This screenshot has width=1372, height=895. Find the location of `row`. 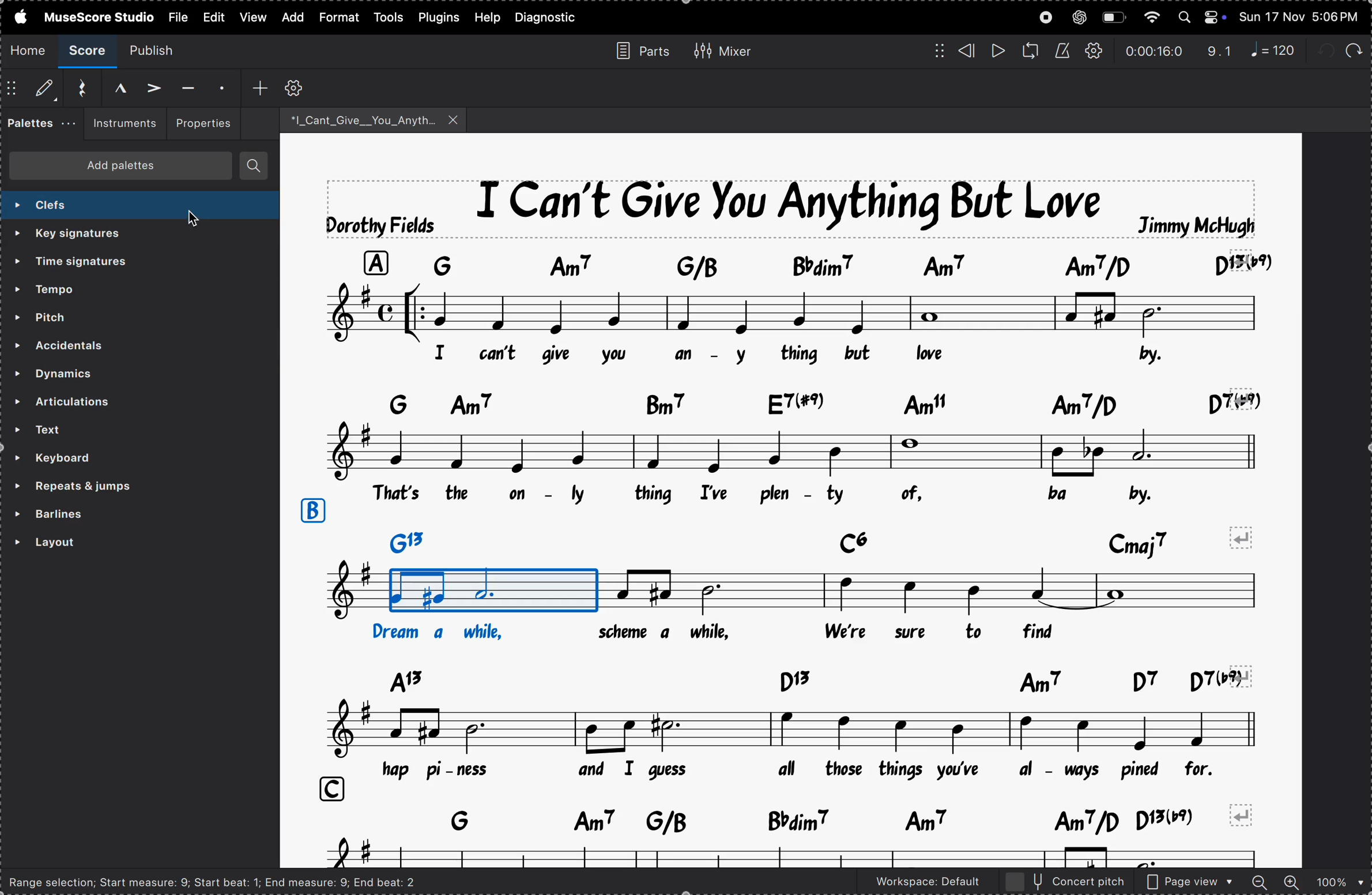

row is located at coordinates (311, 511).